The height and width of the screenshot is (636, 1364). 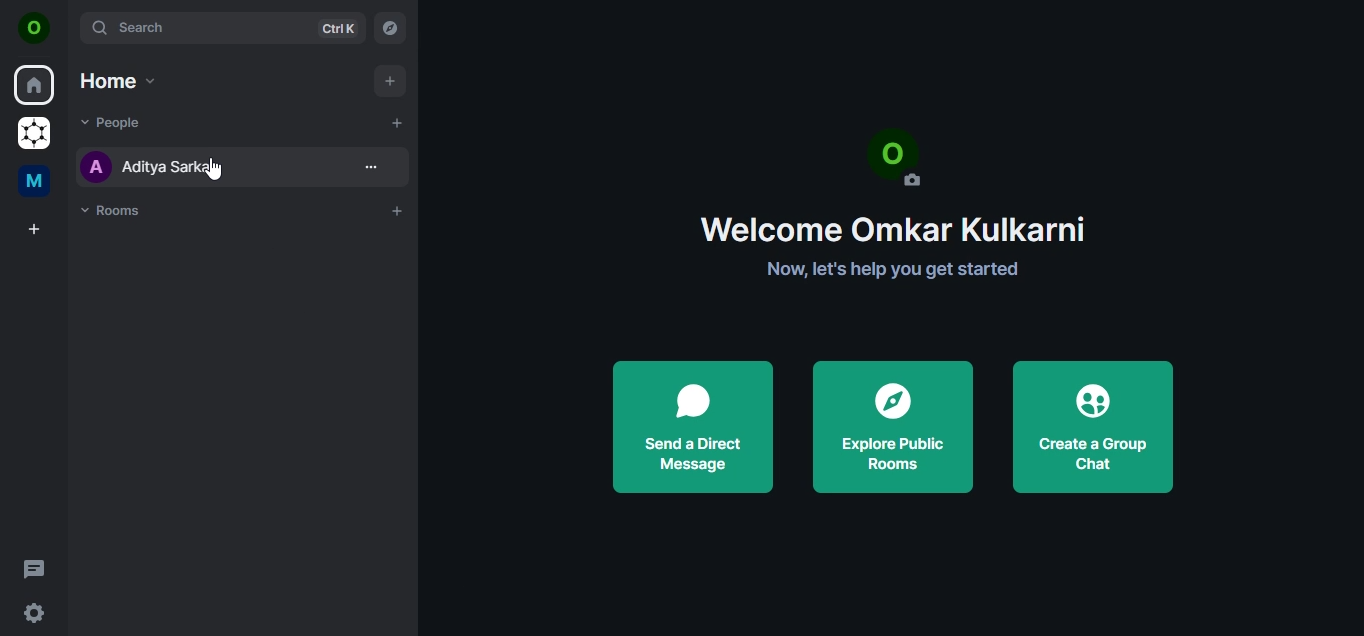 What do you see at coordinates (36, 229) in the screenshot?
I see `create a space` at bounding box center [36, 229].